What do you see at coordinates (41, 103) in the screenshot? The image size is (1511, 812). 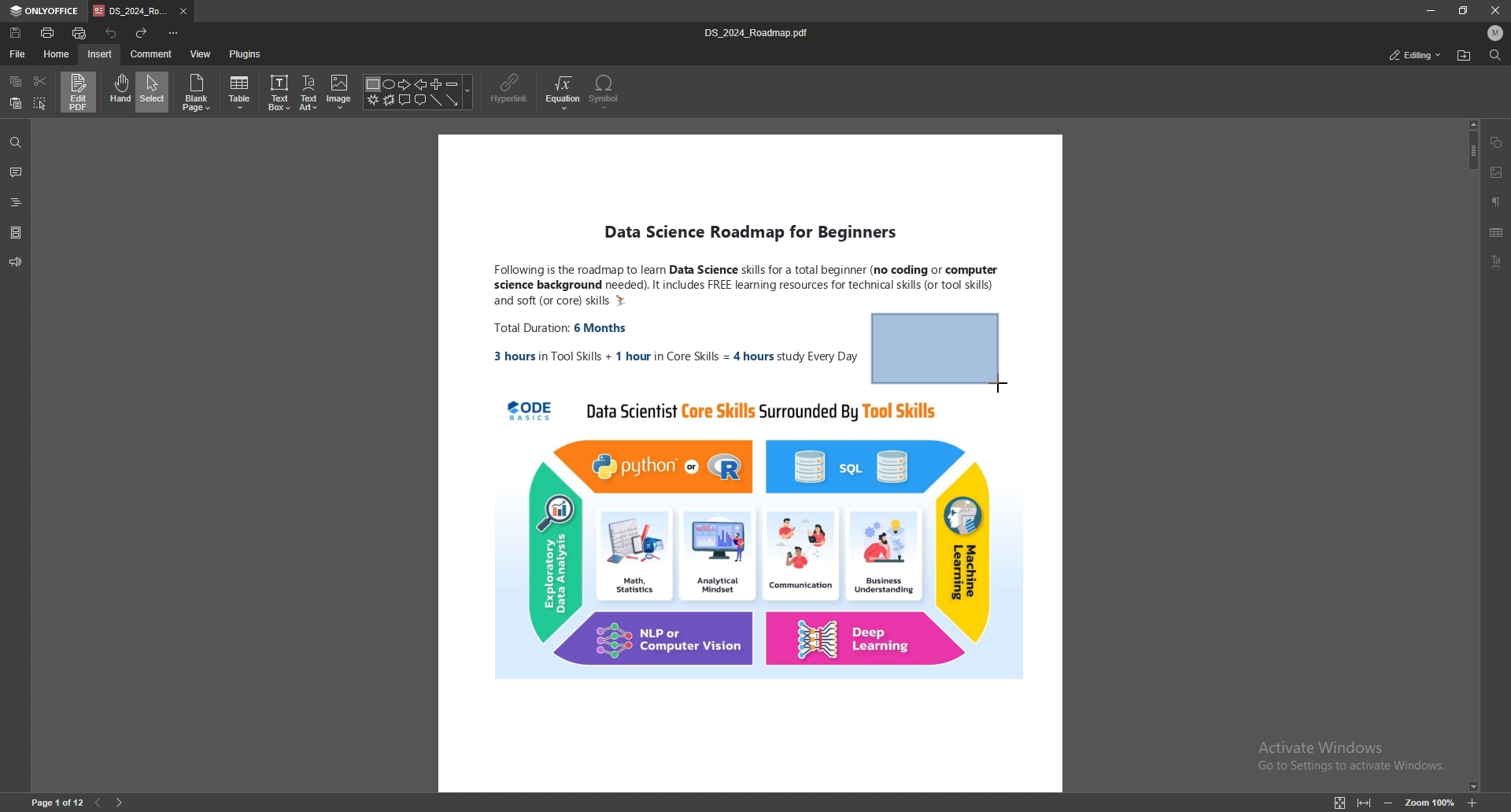 I see `select` at bounding box center [41, 103].